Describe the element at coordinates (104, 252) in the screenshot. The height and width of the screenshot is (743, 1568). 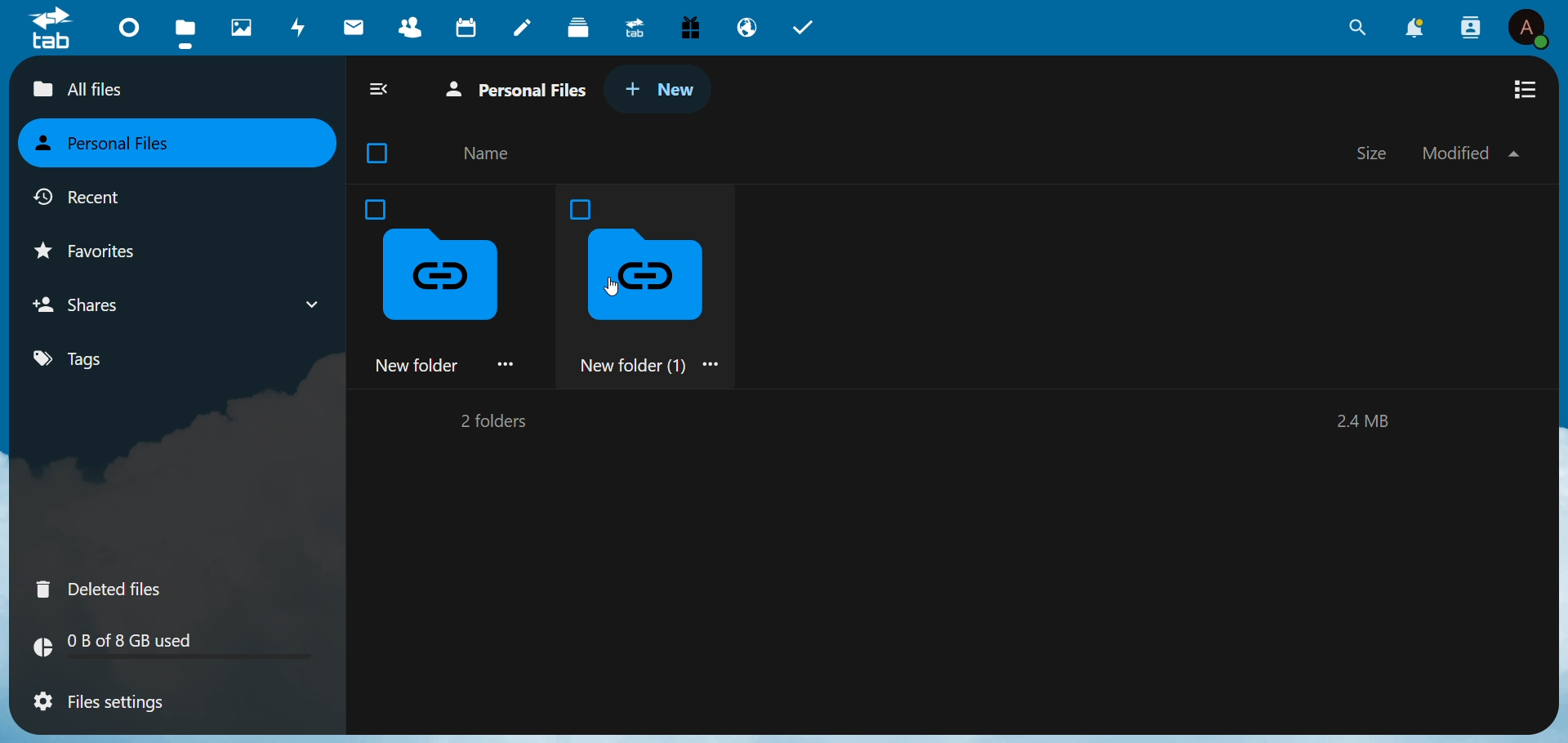
I see `favorites` at that location.